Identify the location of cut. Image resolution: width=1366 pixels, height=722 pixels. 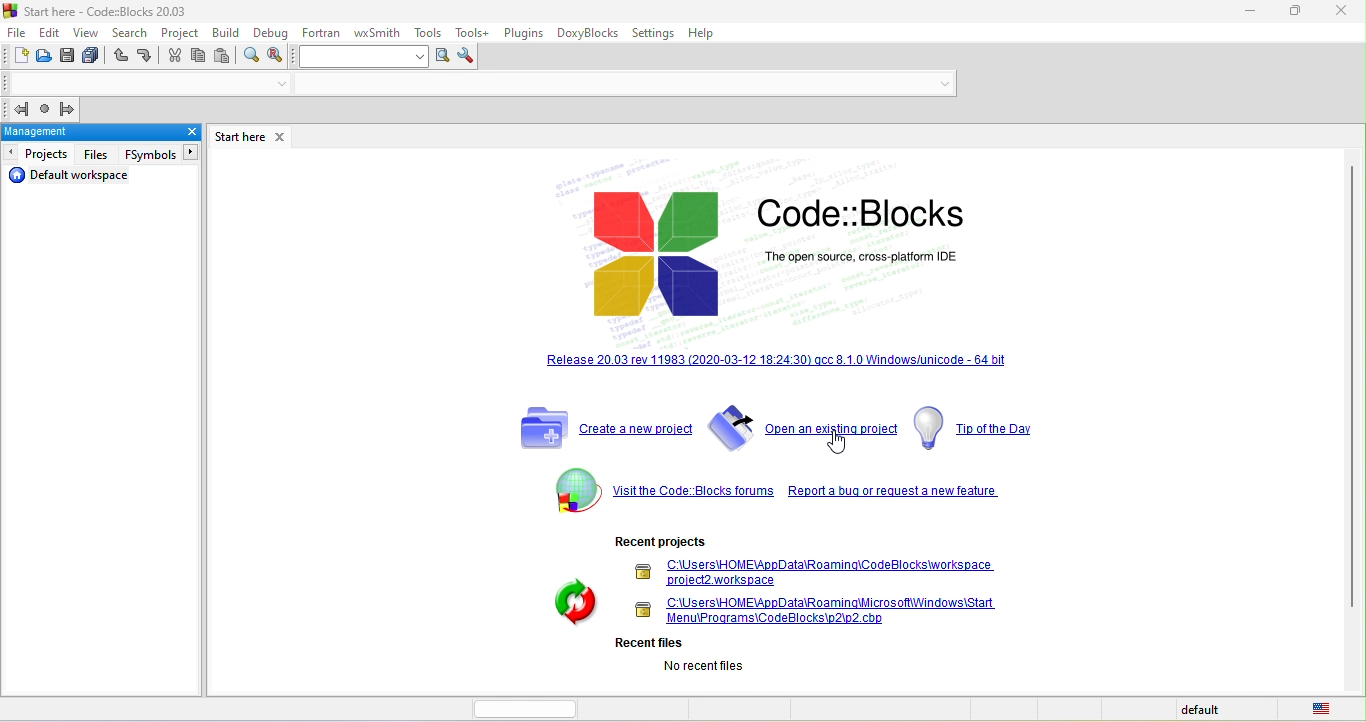
(172, 59).